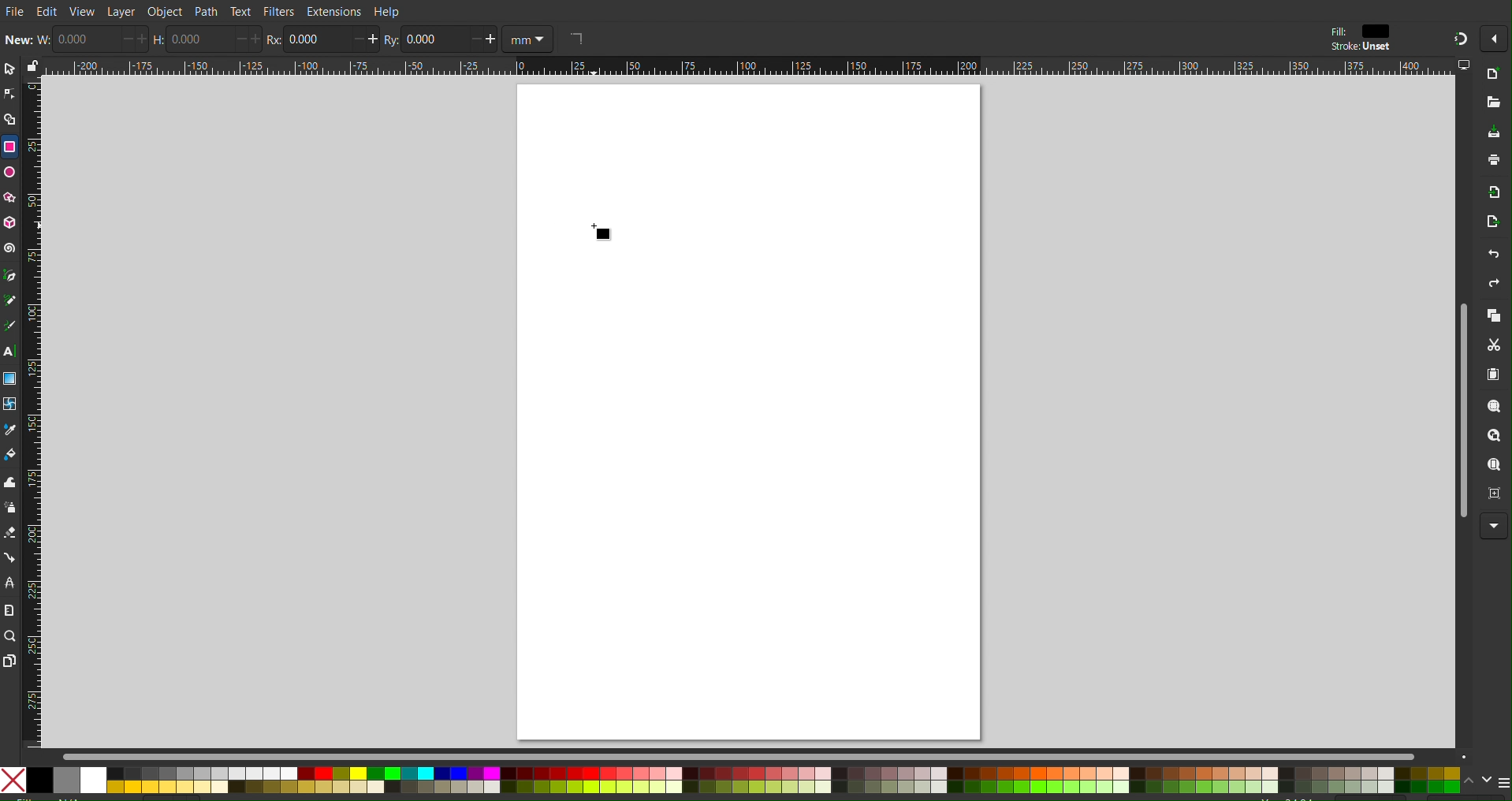 The height and width of the screenshot is (801, 1512). Describe the element at coordinates (1494, 38) in the screenshot. I see `More Options` at that location.